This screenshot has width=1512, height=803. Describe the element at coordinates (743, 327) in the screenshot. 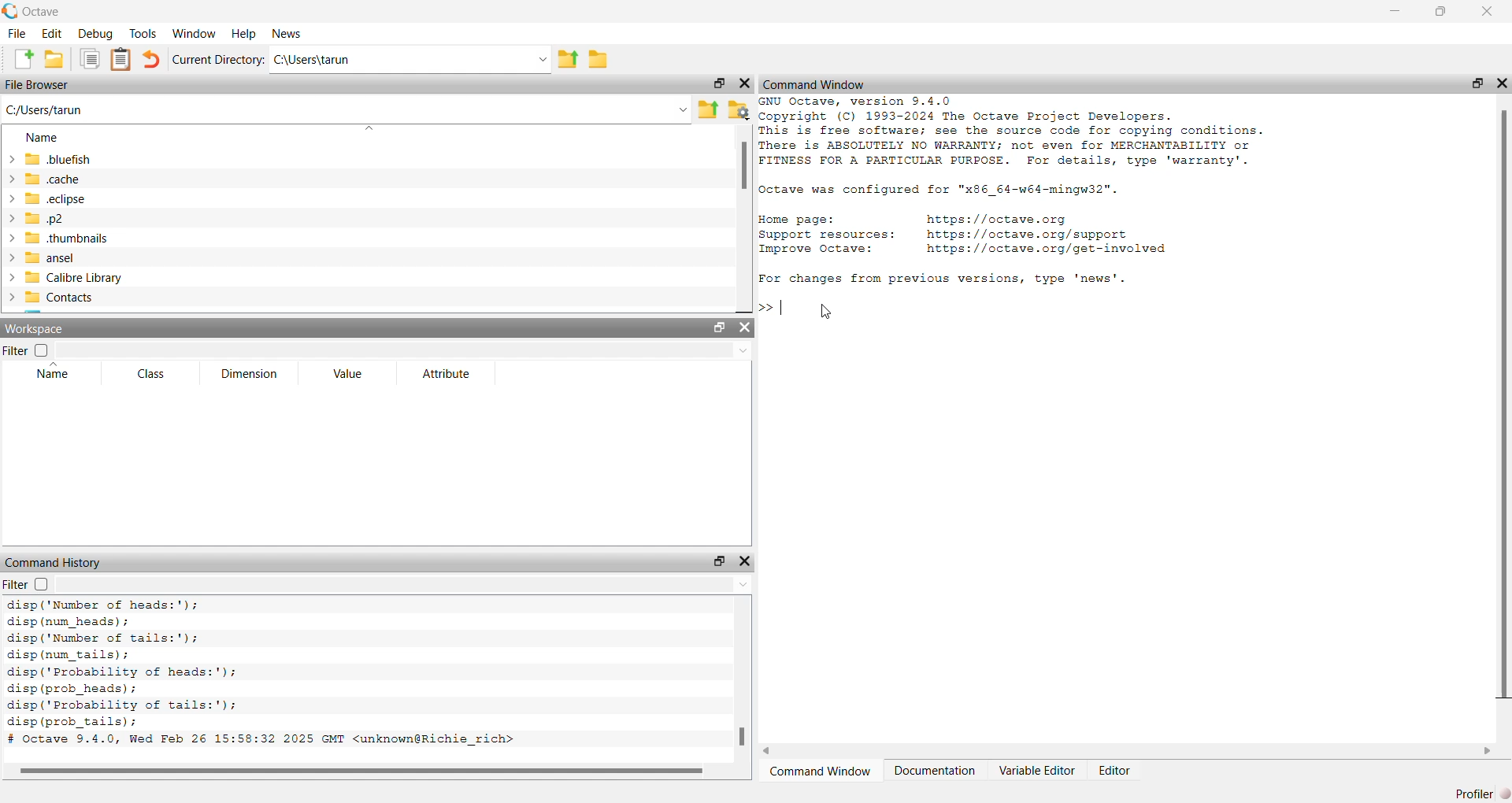

I see `Hide Widget` at that location.